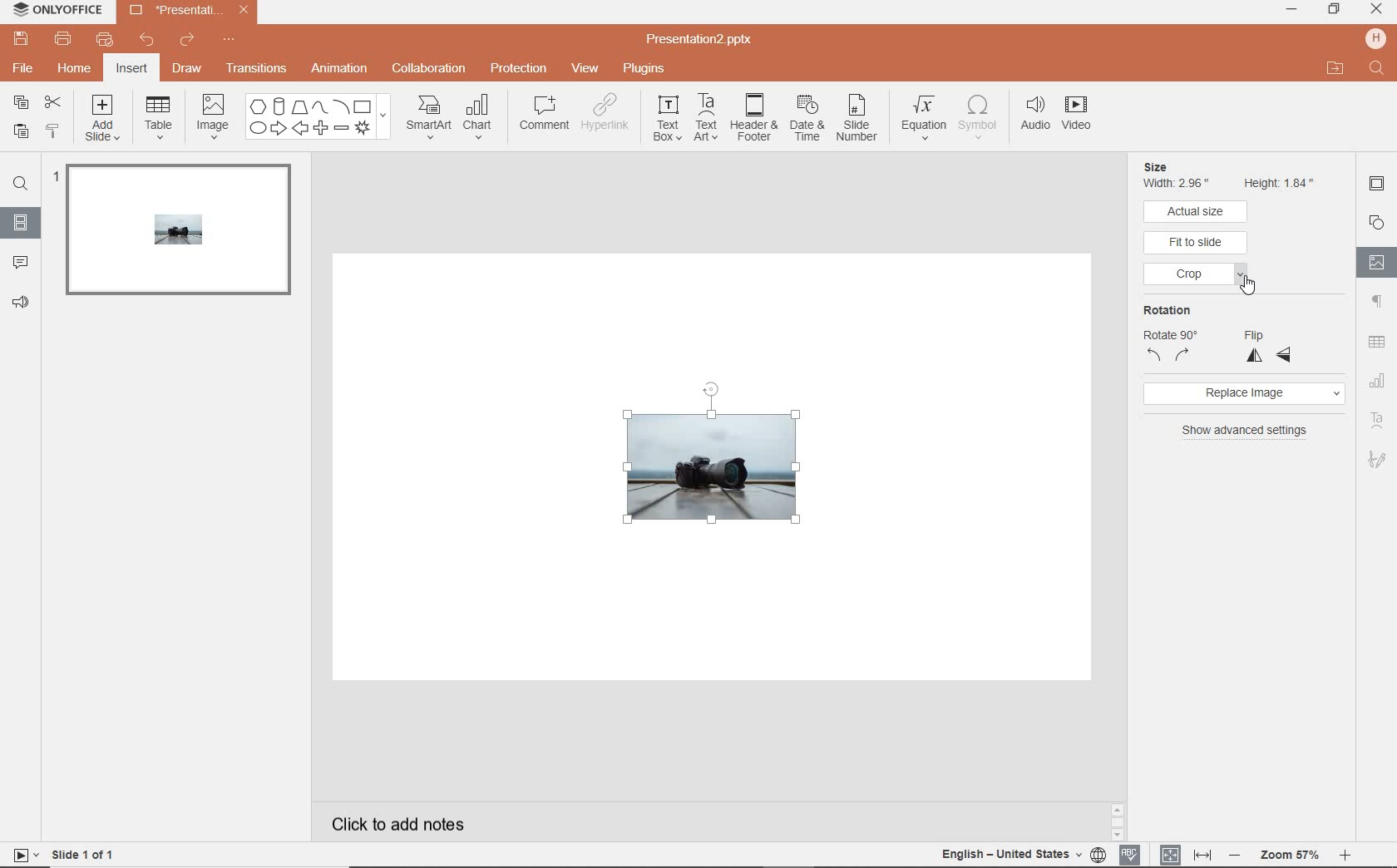 Image resolution: width=1397 pixels, height=868 pixels. What do you see at coordinates (430, 70) in the screenshot?
I see `collaboration` at bounding box center [430, 70].